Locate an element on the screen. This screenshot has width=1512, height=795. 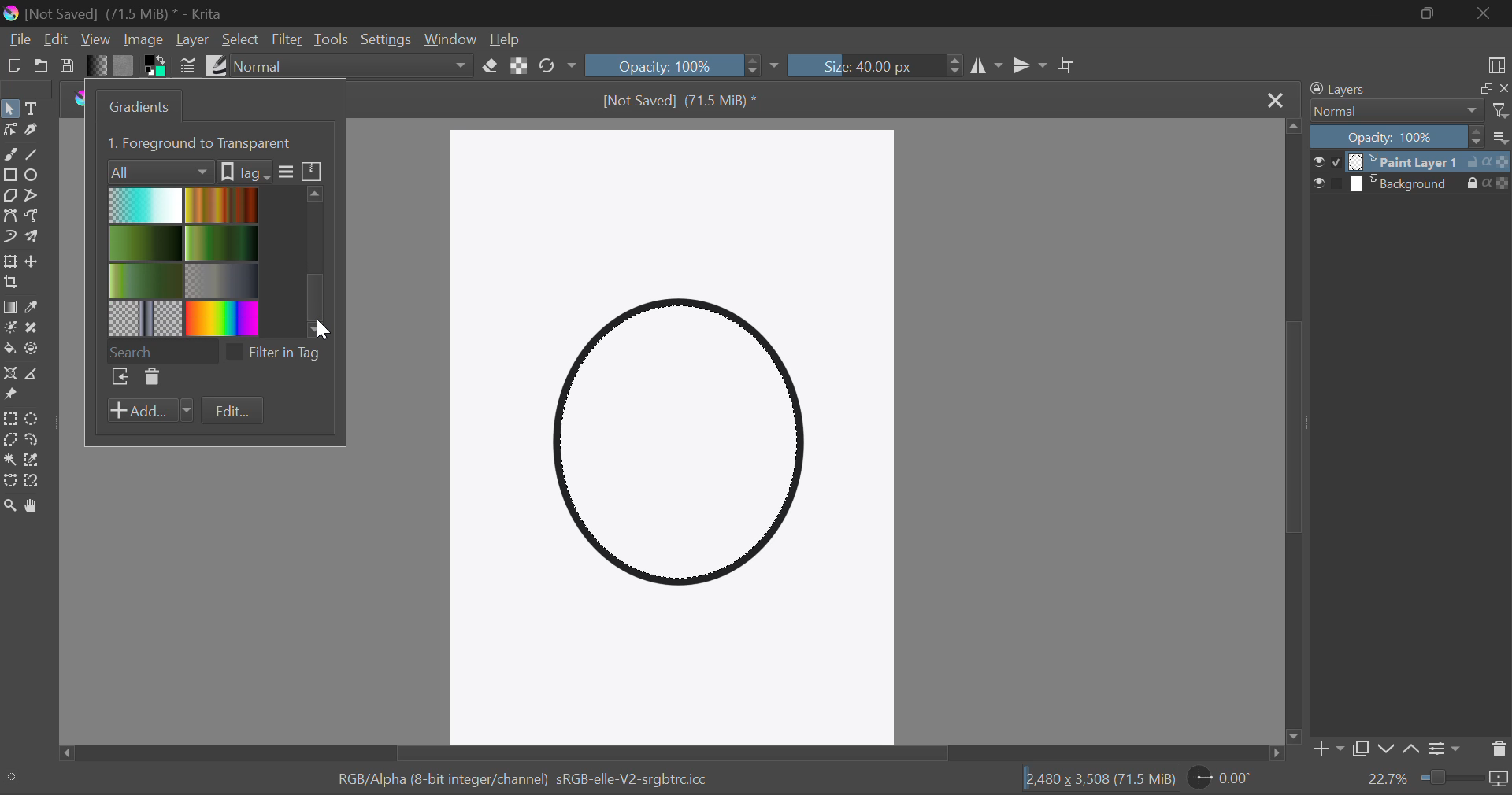
Brush Presets is located at coordinates (219, 67).